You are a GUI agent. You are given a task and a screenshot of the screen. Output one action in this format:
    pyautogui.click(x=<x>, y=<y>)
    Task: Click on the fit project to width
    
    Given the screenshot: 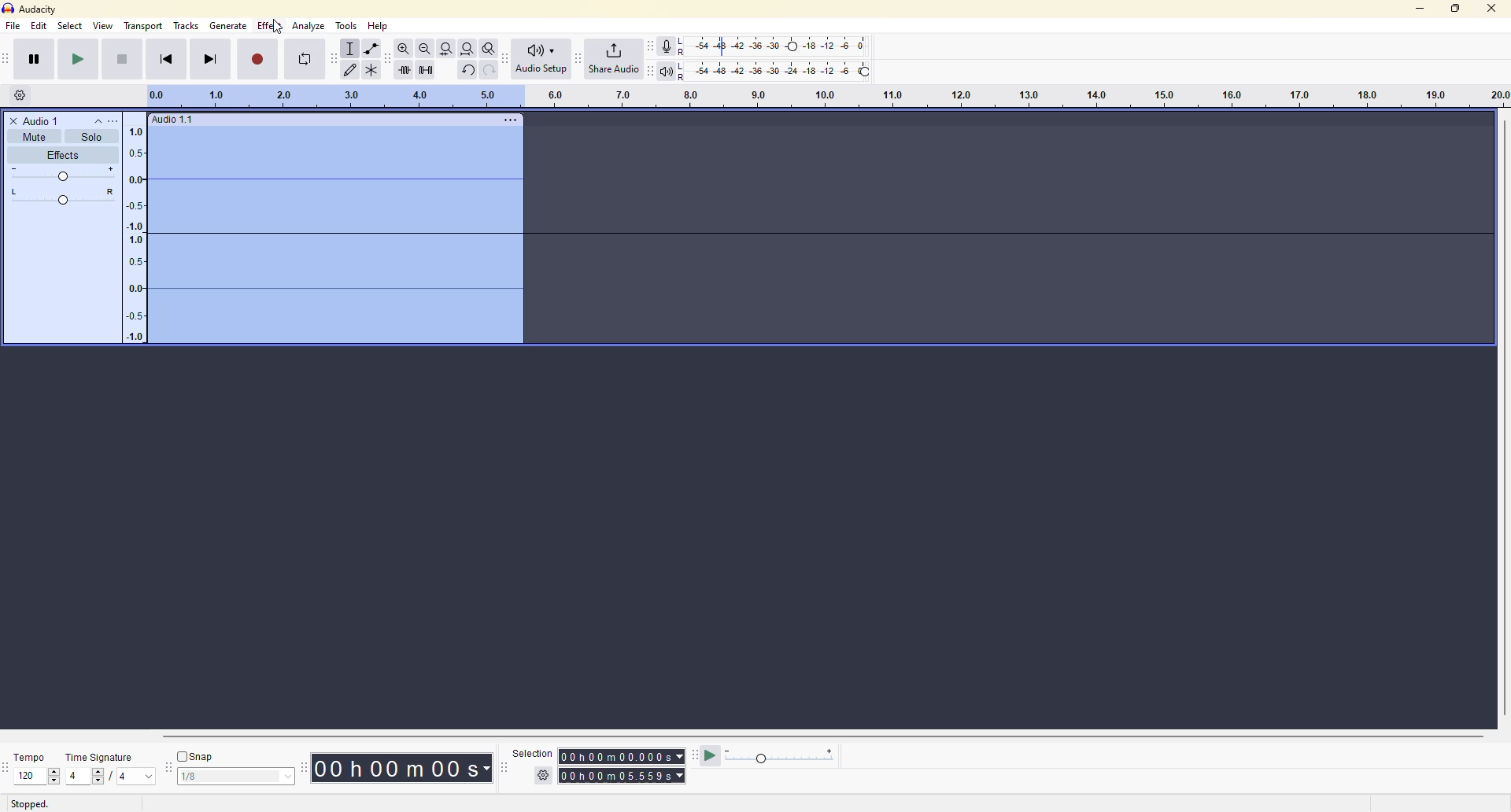 What is the action you would take?
    pyautogui.click(x=468, y=49)
    